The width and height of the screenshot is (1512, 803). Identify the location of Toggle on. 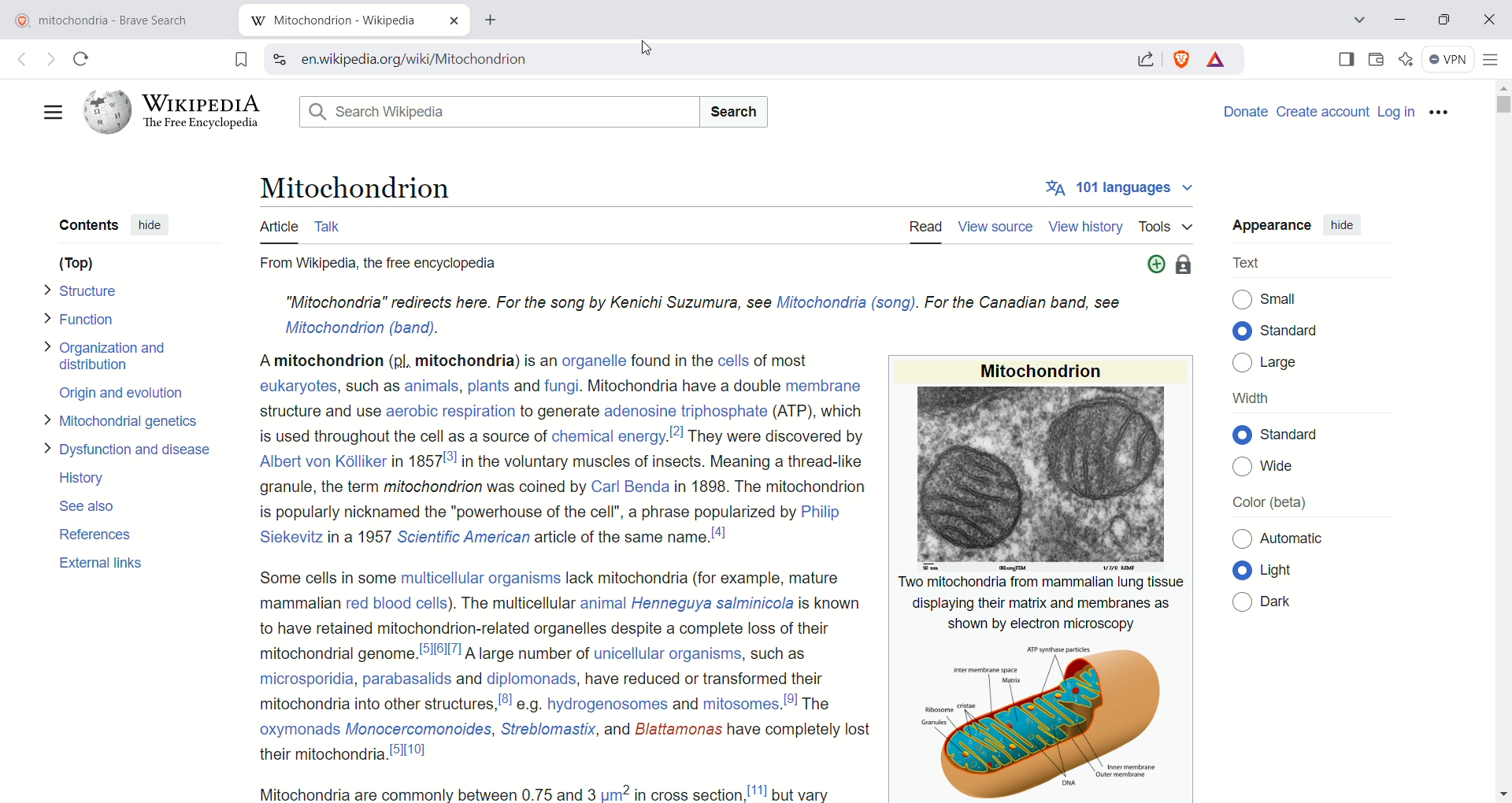
(1240, 331).